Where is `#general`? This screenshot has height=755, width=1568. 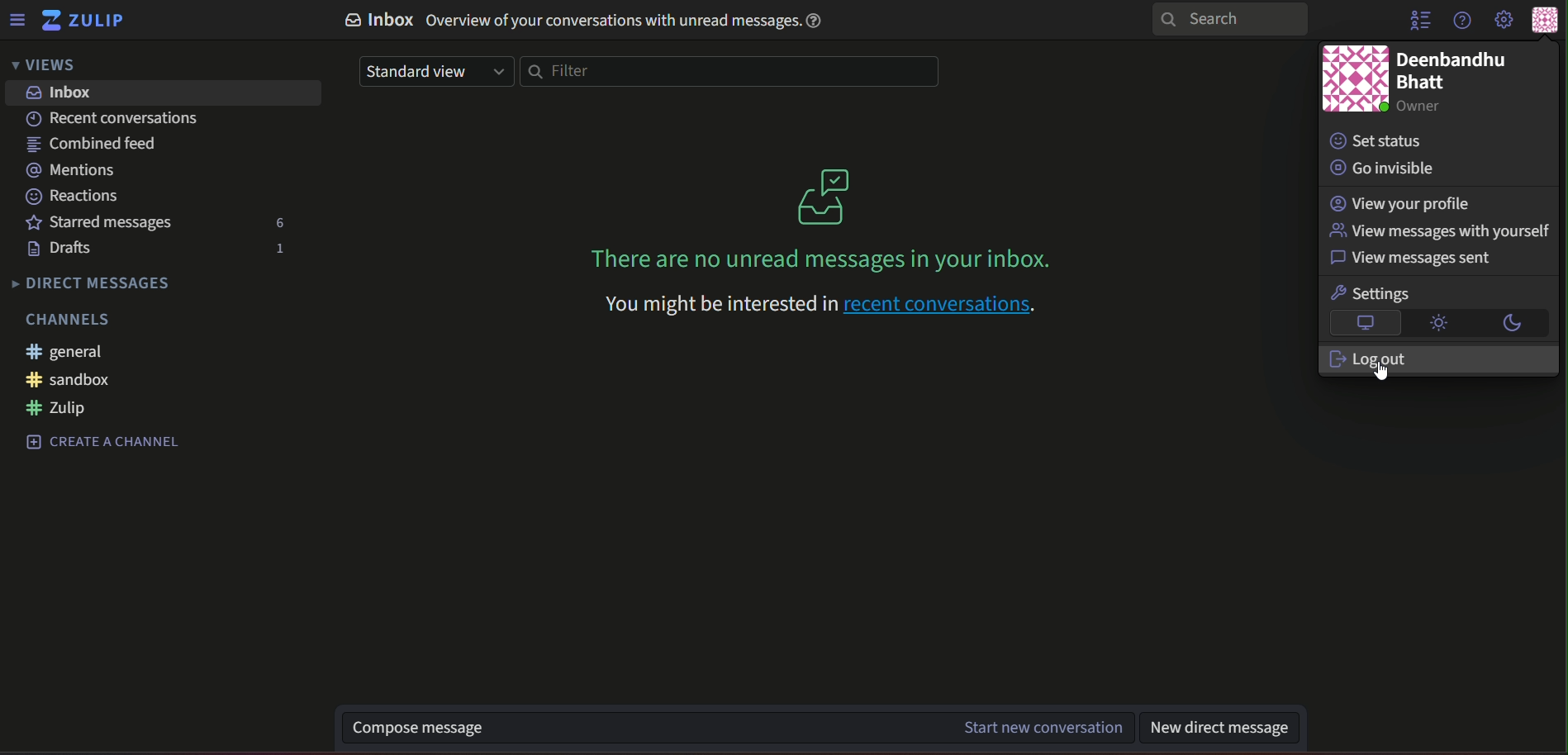
#general is located at coordinates (77, 353).